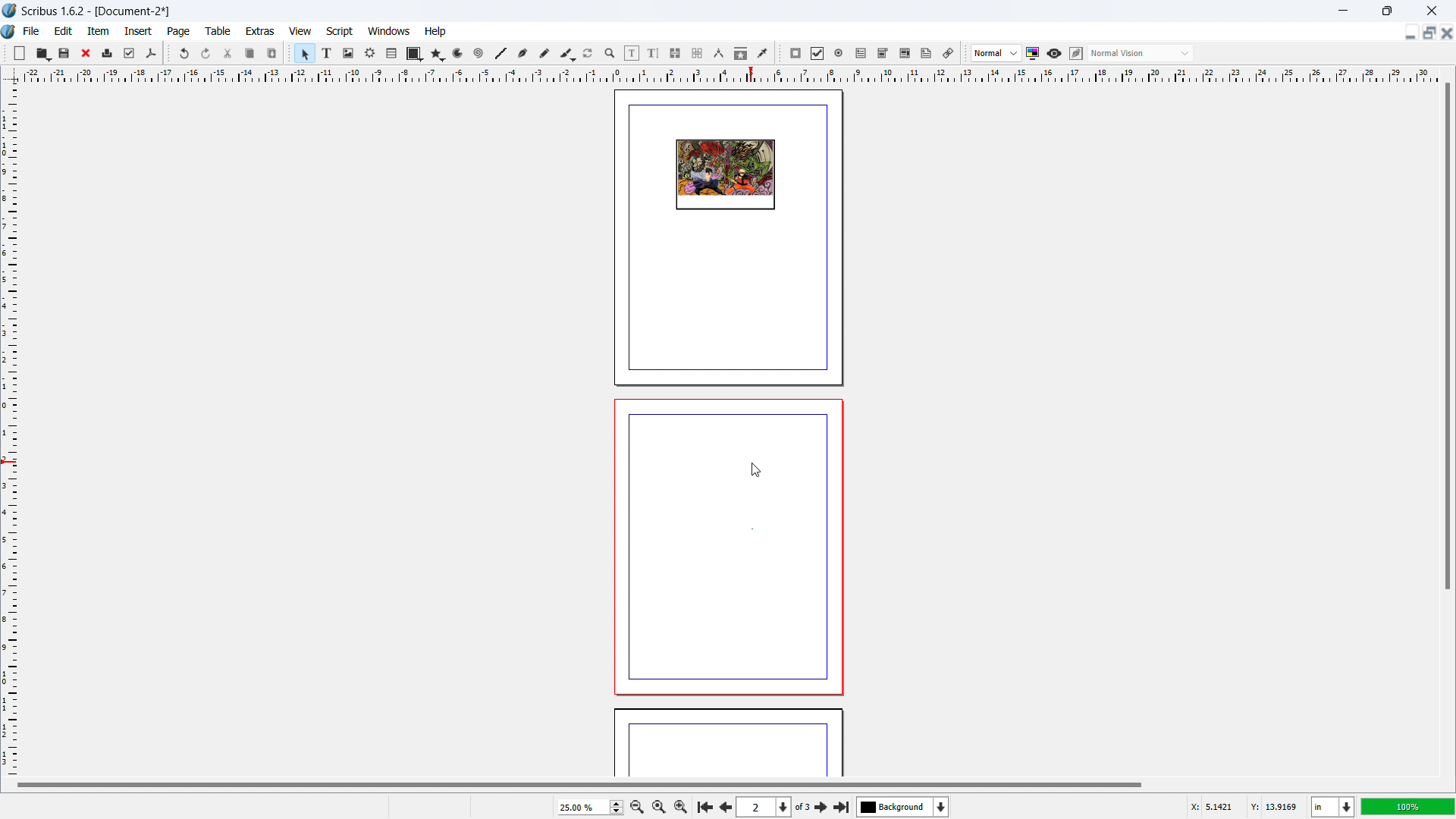  Describe the element at coordinates (636, 806) in the screenshot. I see `zoom out by the stepping value in tool preference` at that location.